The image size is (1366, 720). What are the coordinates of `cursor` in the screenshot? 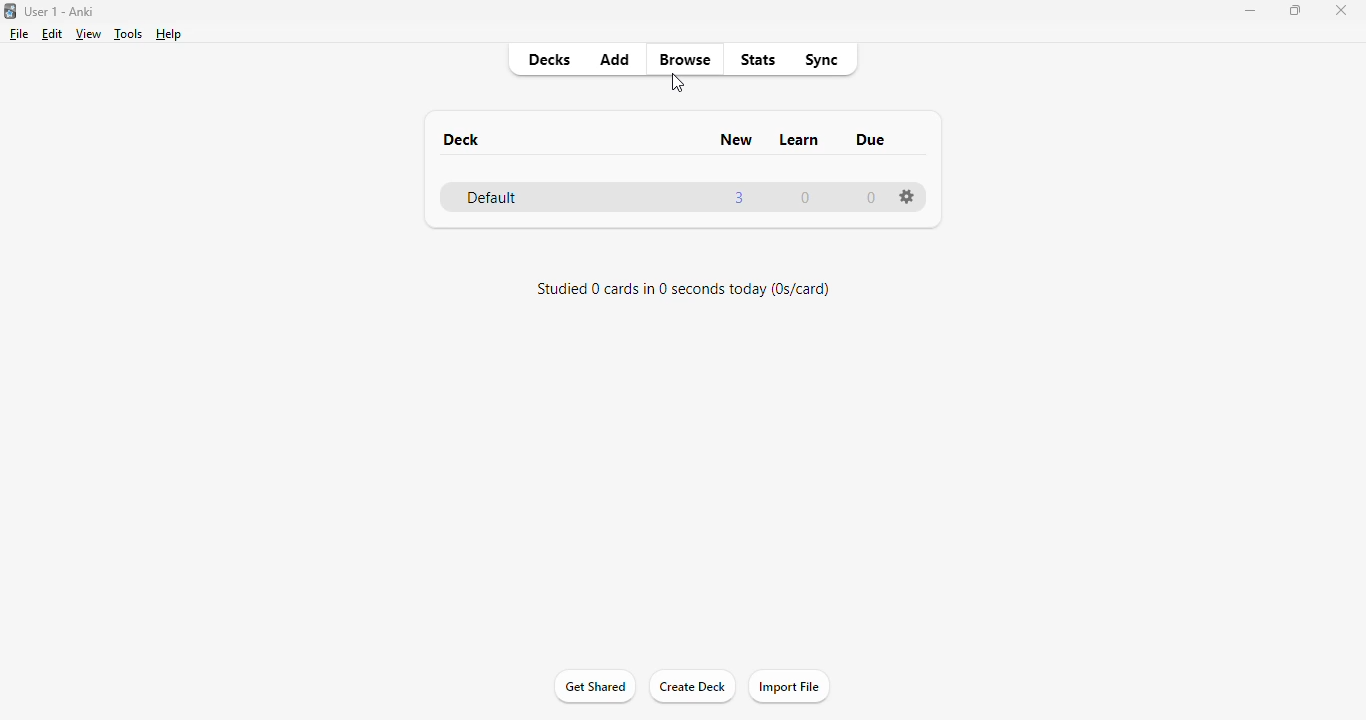 It's located at (677, 82).